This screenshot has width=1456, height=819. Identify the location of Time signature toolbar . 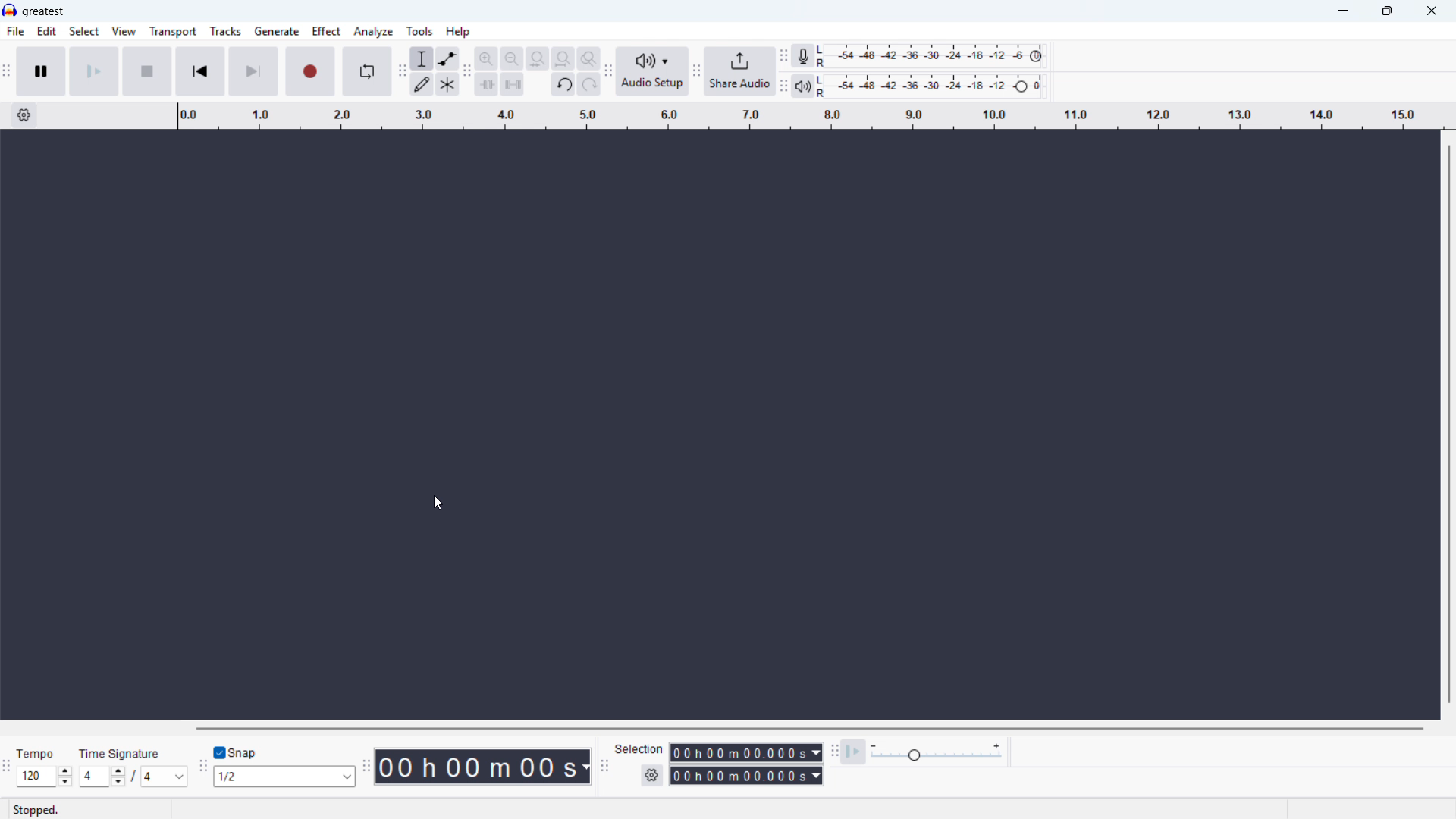
(7, 772).